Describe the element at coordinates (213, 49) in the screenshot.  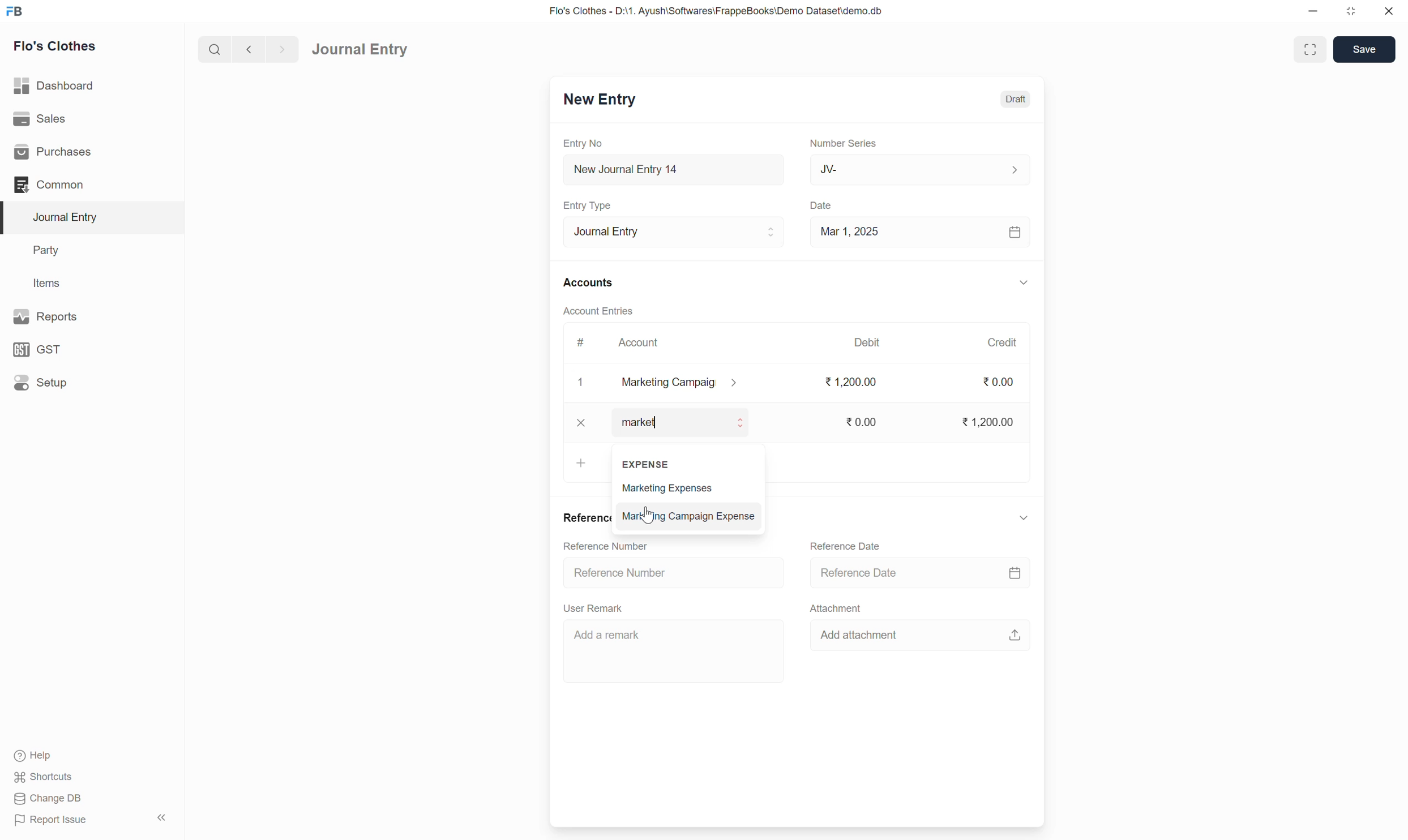
I see `search` at that location.